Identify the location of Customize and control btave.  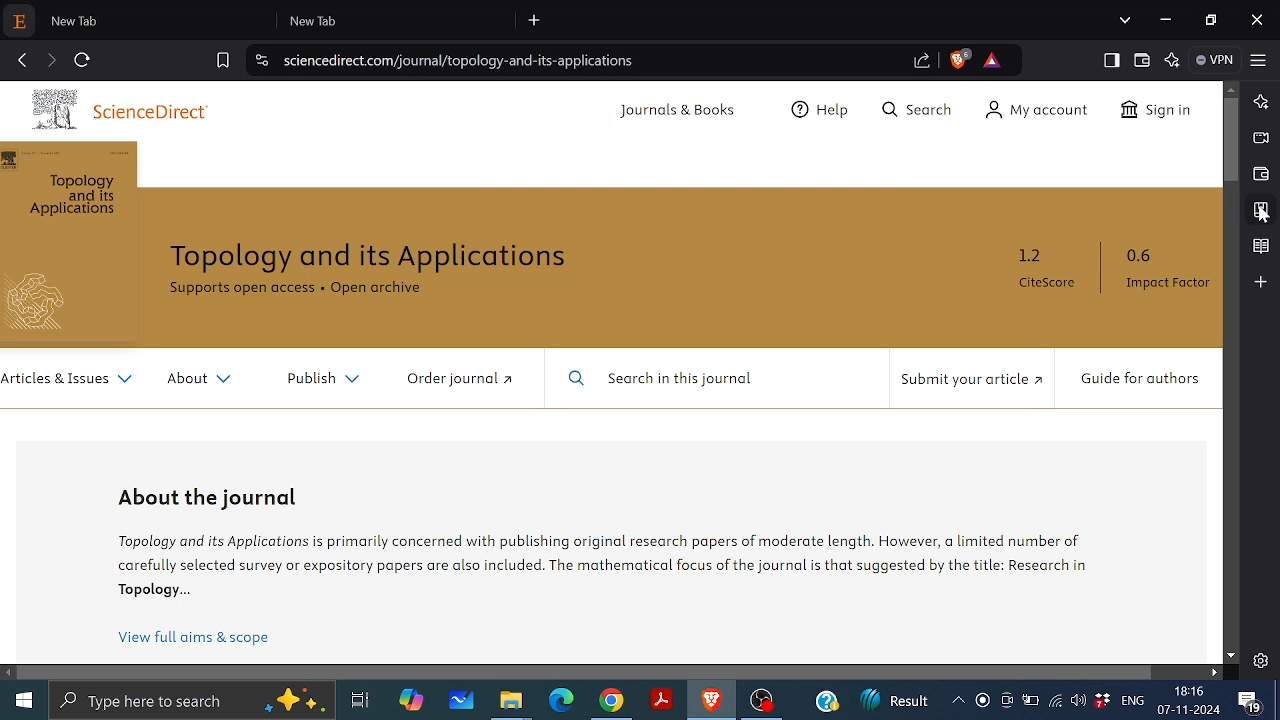
(1258, 59).